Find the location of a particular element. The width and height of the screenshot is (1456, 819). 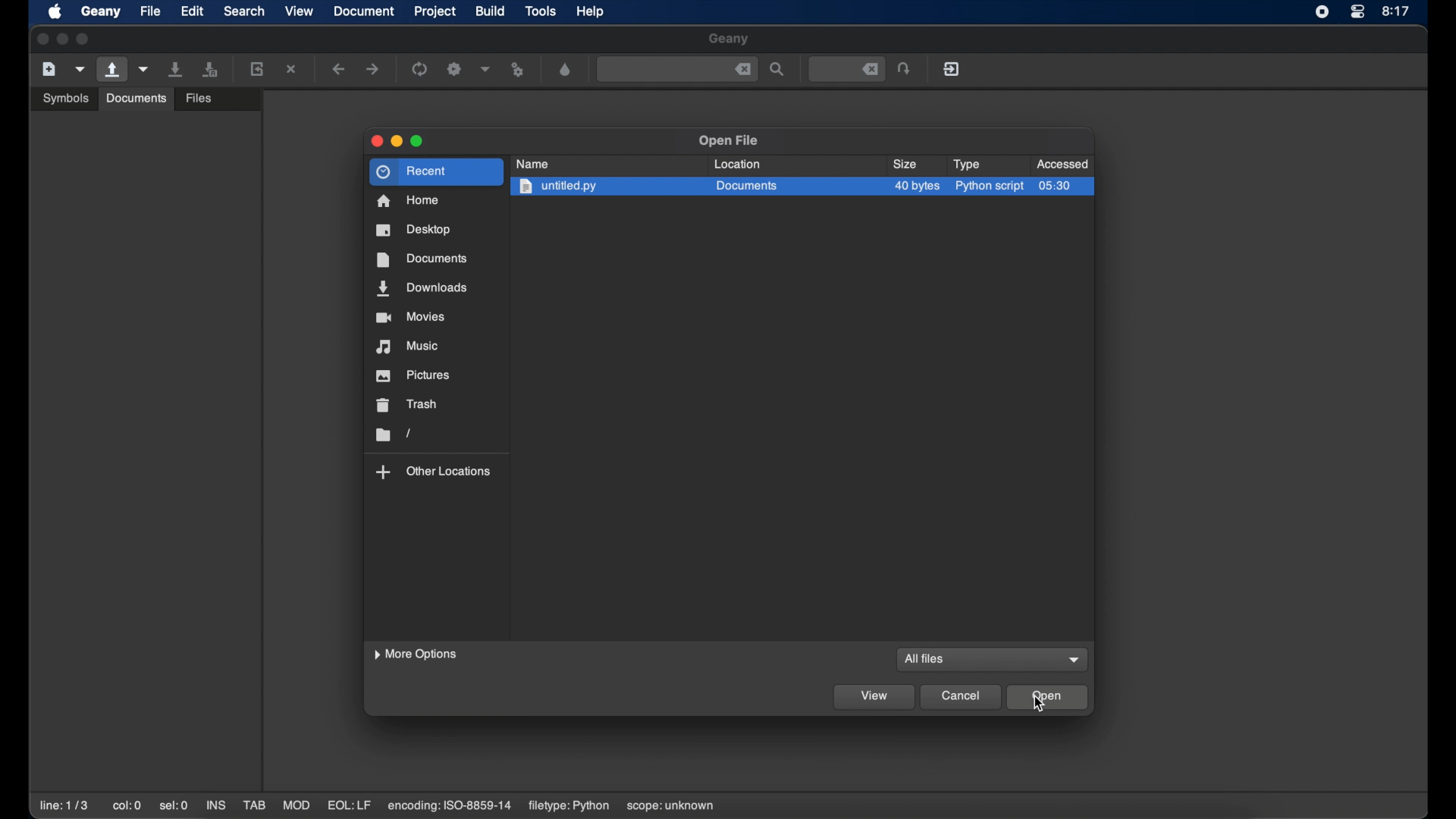

navigate back a location is located at coordinates (338, 68).